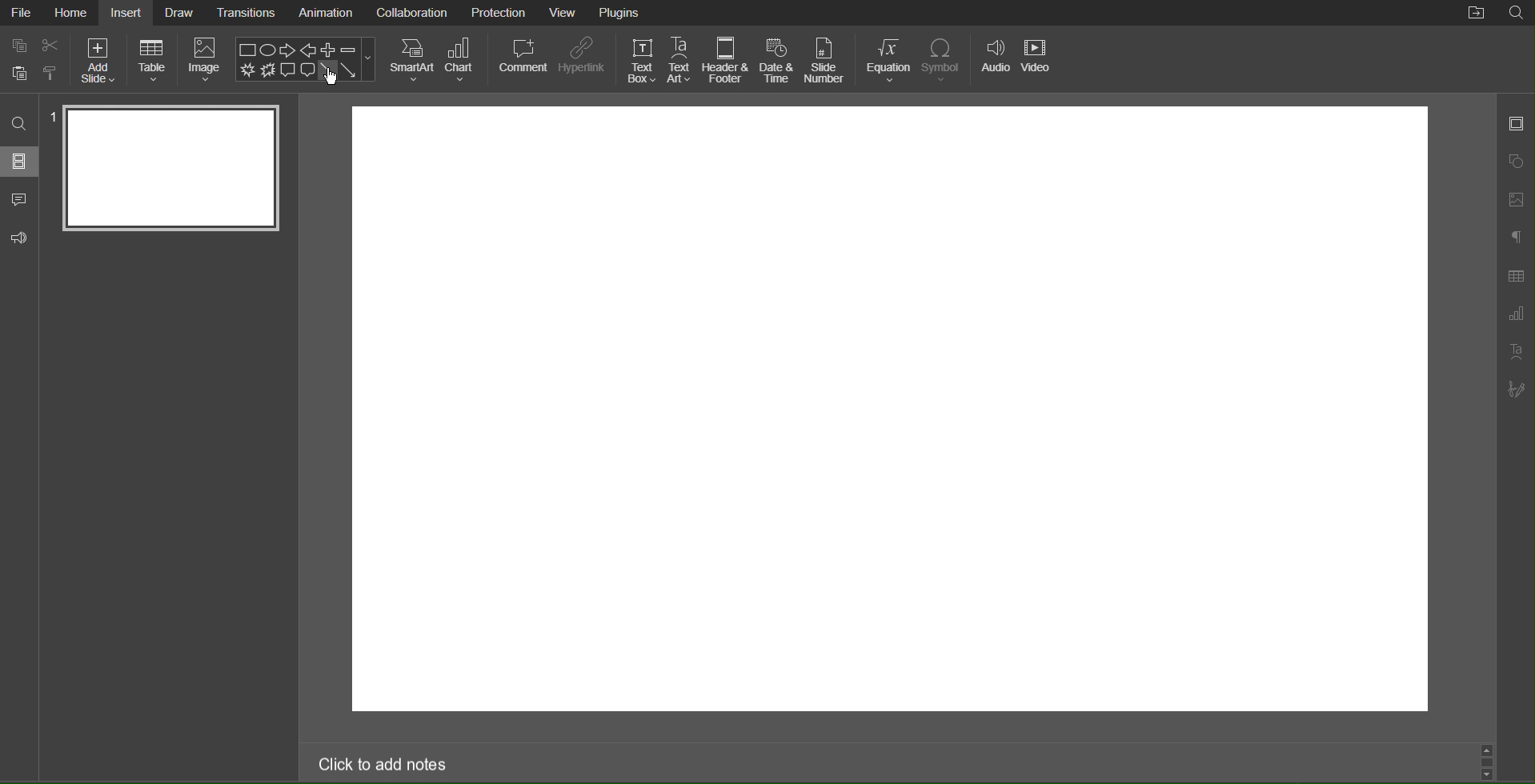 The width and height of the screenshot is (1535, 784). Describe the element at coordinates (51, 44) in the screenshot. I see `Cut` at that location.